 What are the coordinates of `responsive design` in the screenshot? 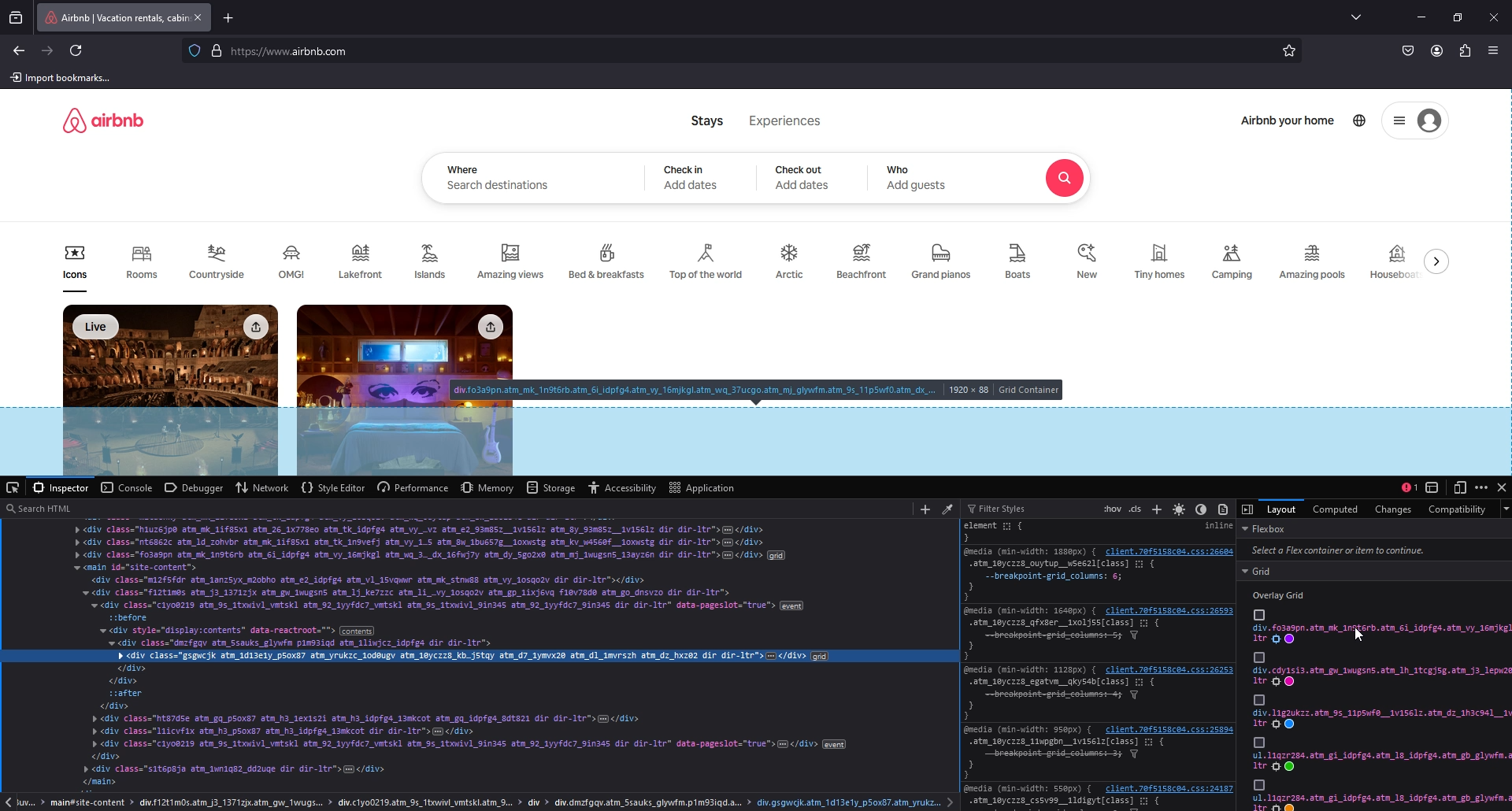 It's located at (1462, 485).